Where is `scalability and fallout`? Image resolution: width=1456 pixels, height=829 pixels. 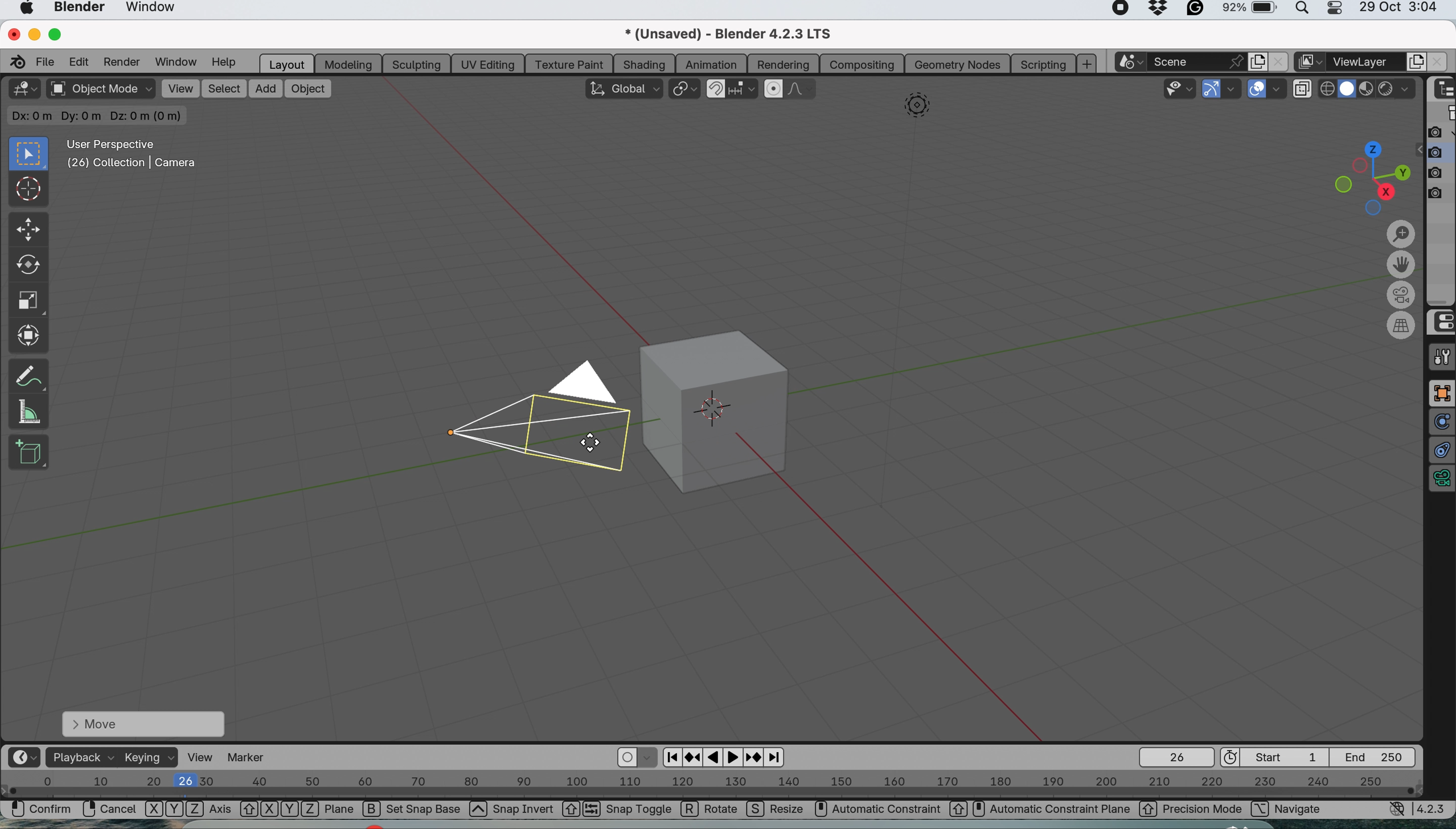
scalability and fallout is located at coordinates (1181, 88).